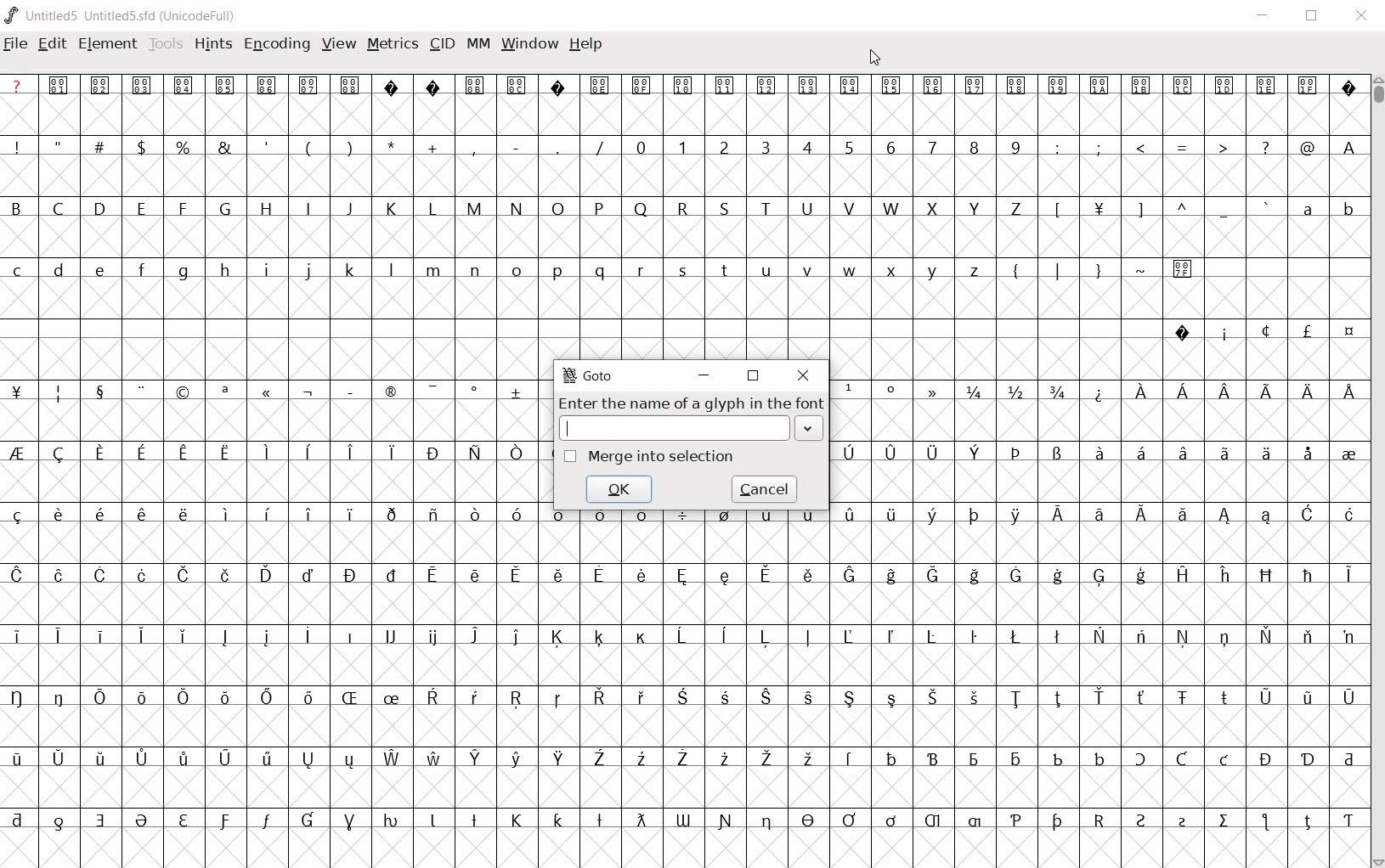 The image size is (1385, 868). I want to click on Symbol, so click(140, 696).